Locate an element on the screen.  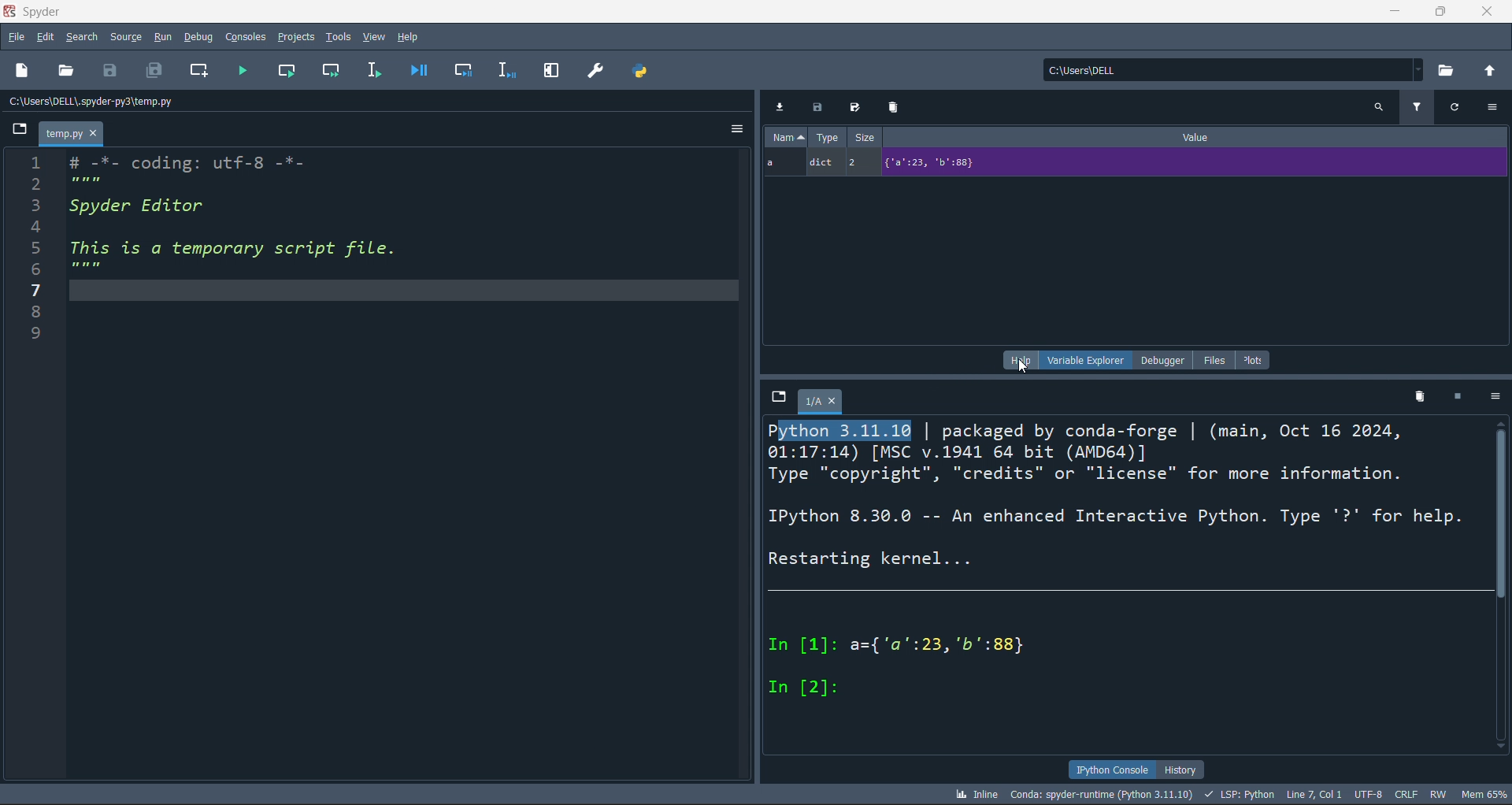
cursor is located at coordinates (1019, 365).